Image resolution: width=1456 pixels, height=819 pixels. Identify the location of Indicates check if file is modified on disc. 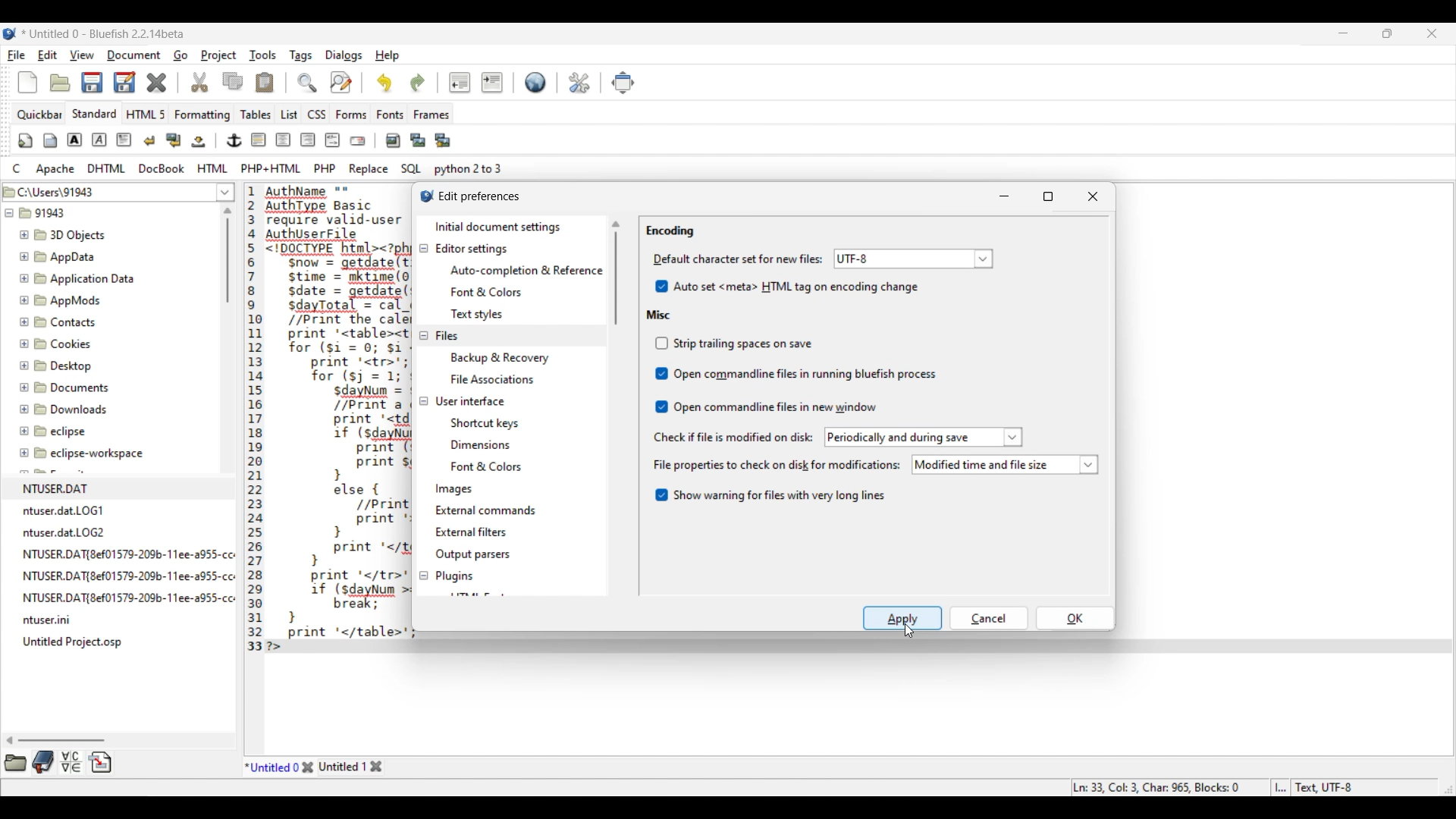
(733, 438).